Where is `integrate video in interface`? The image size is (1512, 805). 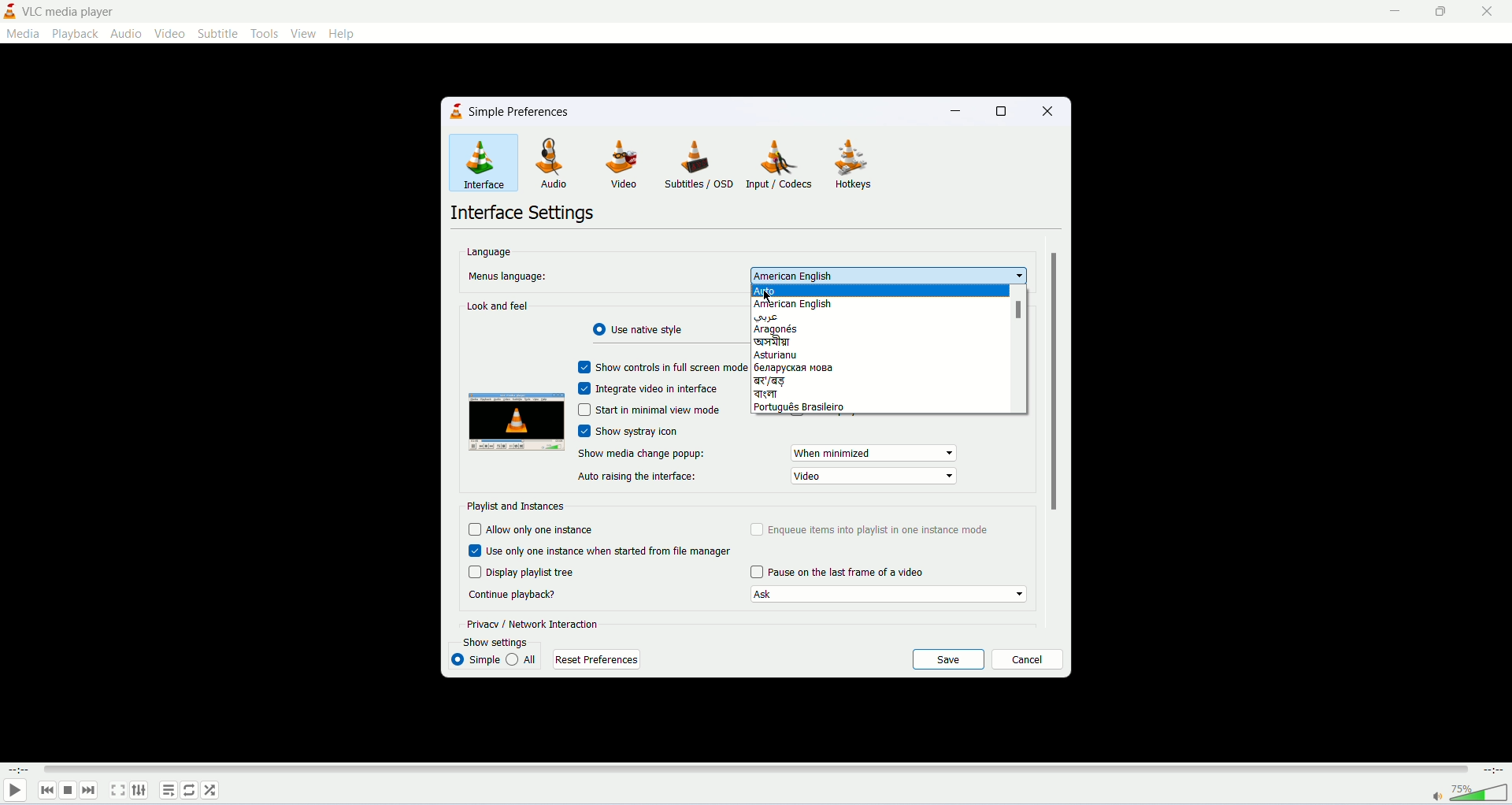 integrate video in interface is located at coordinates (647, 388).